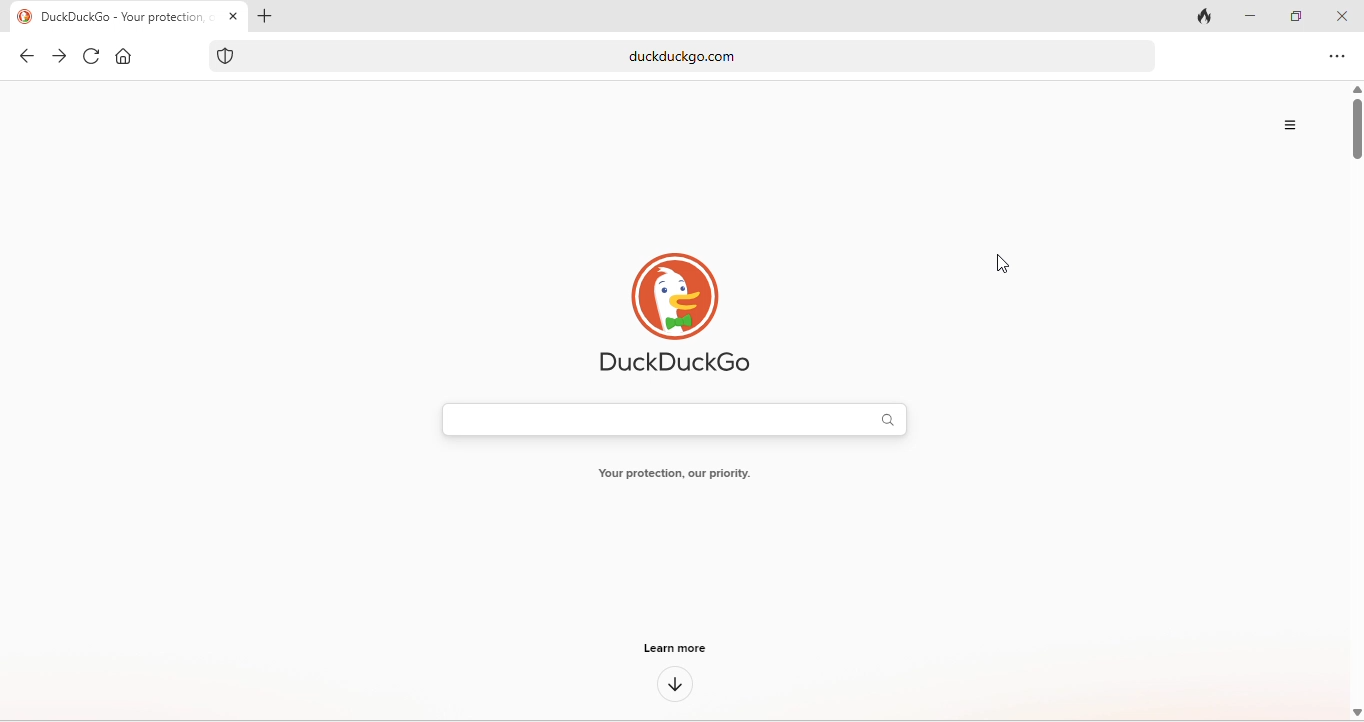 The width and height of the screenshot is (1364, 722). What do you see at coordinates (1012, 264) in the screenshot?
I see `cursor` at bounding box center [1012, 264].